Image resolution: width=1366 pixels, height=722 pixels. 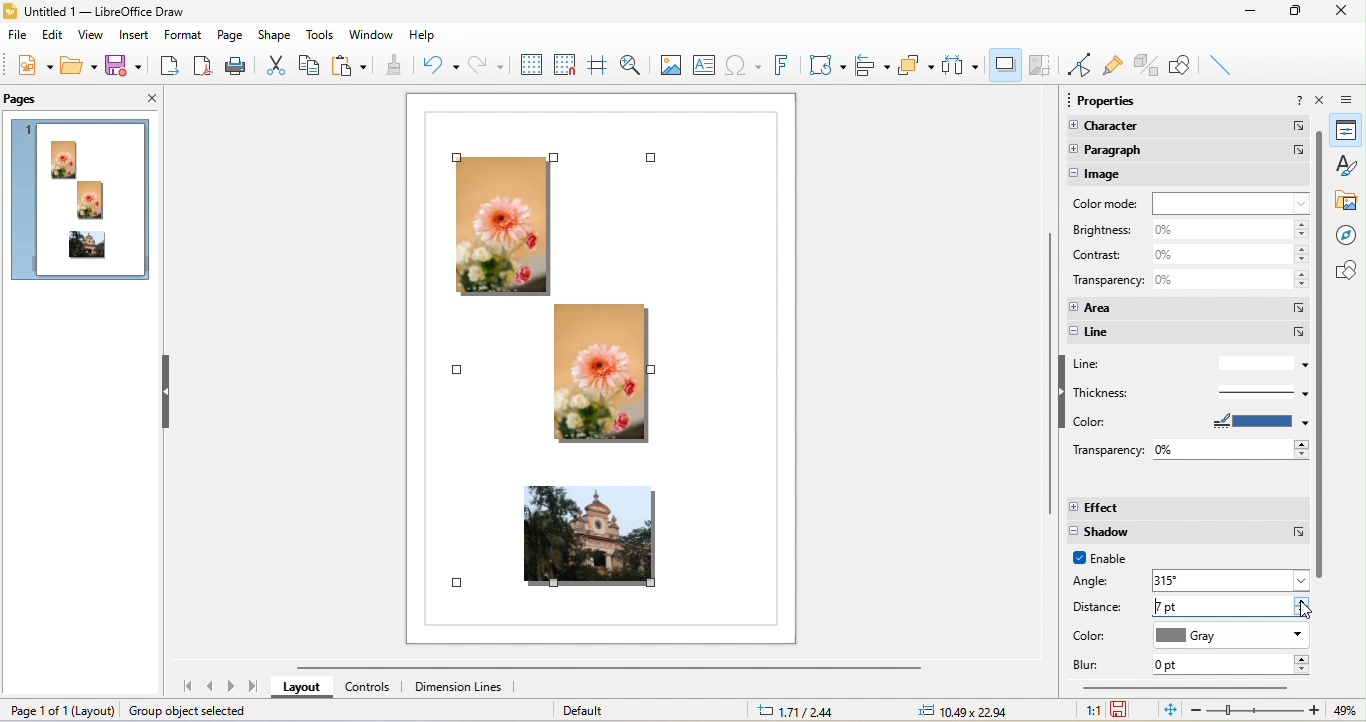 What do you see at coordinates (1351, 103) in the screenshot?
I see `sidebar settings` at bounding box center [1351, 103].